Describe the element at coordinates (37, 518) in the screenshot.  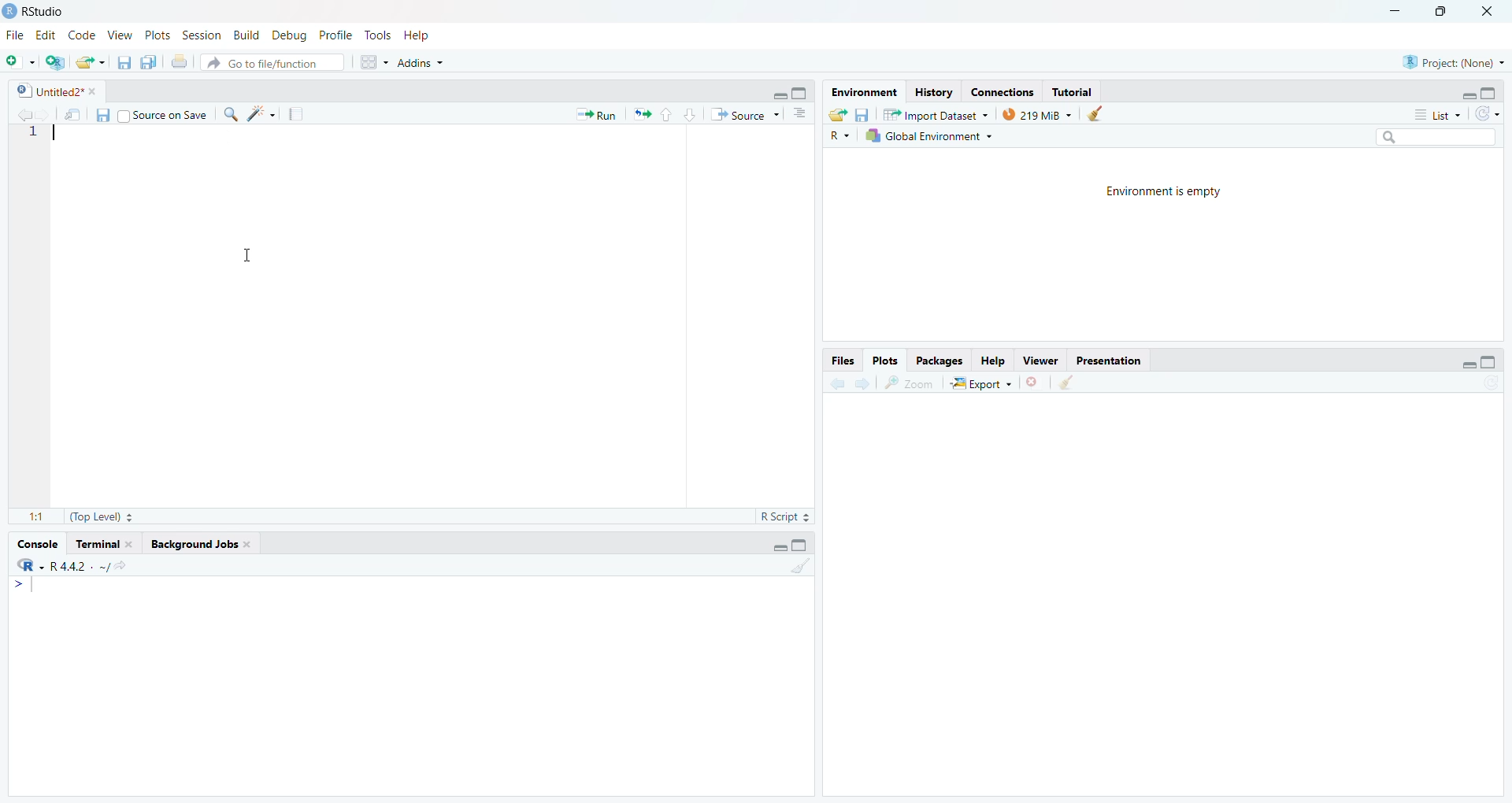
I see `1:1` at that location.